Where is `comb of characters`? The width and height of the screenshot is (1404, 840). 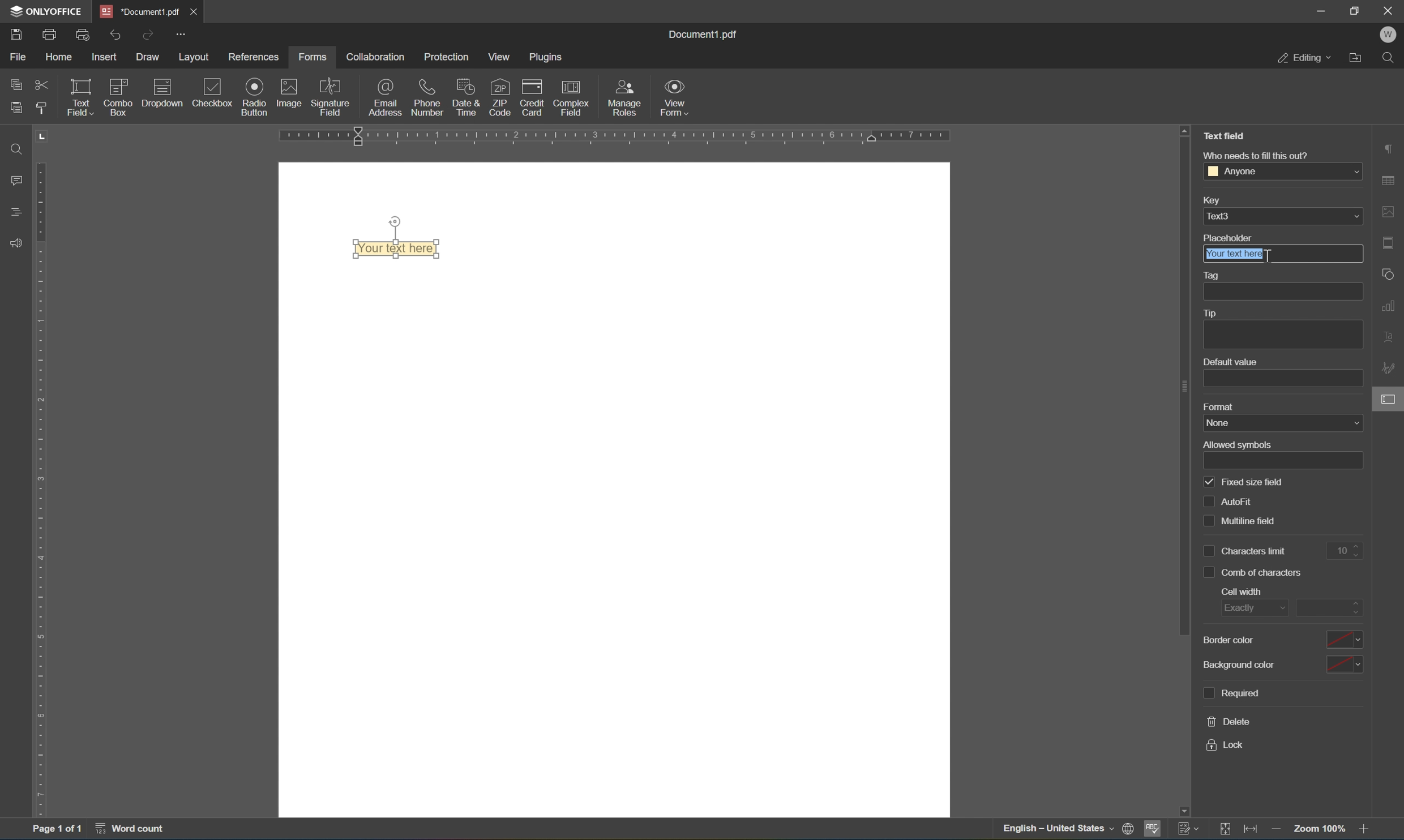 comb of characters is located at coordinates (1252, 573).